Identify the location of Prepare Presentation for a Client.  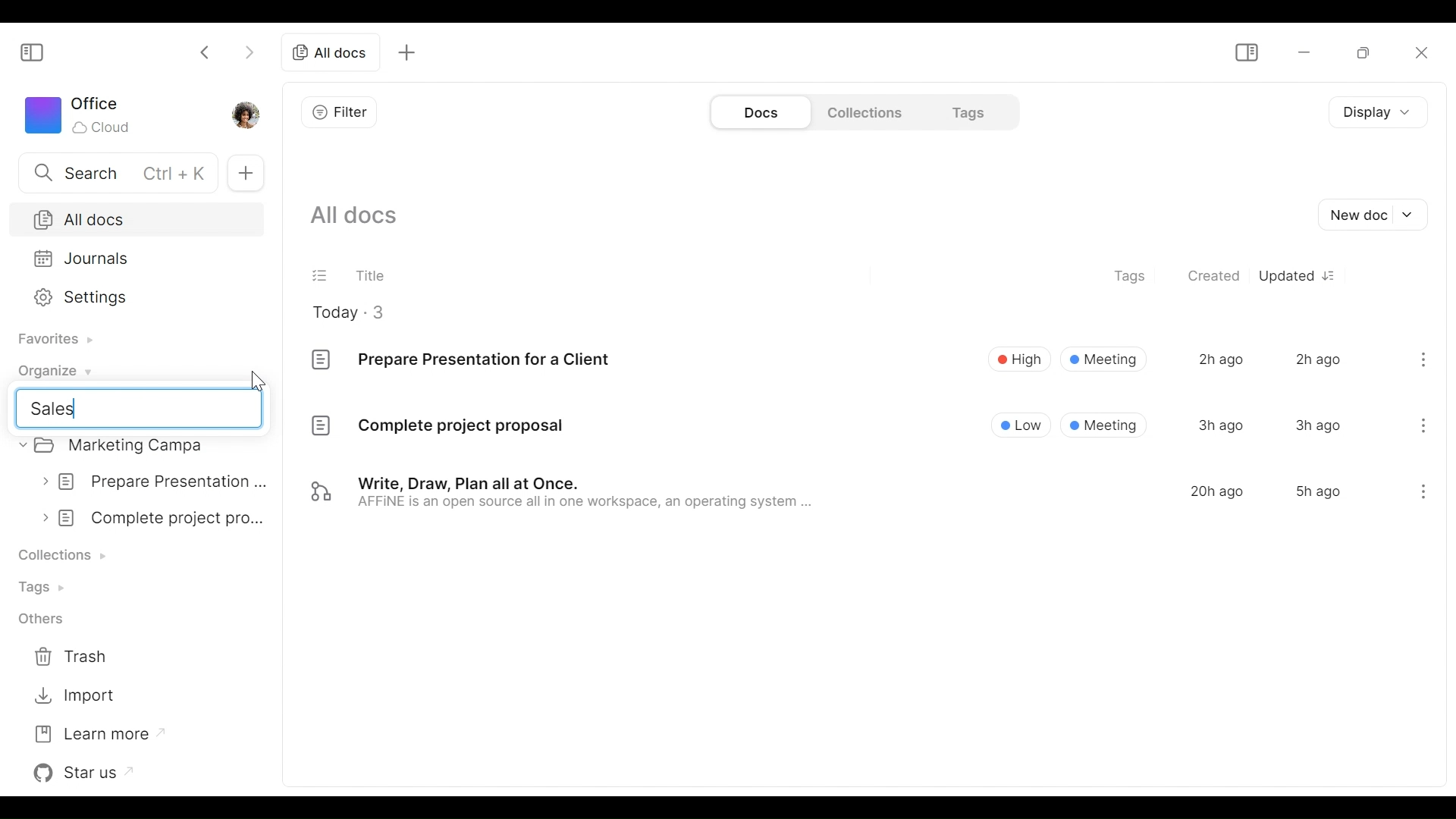
(466, 357).